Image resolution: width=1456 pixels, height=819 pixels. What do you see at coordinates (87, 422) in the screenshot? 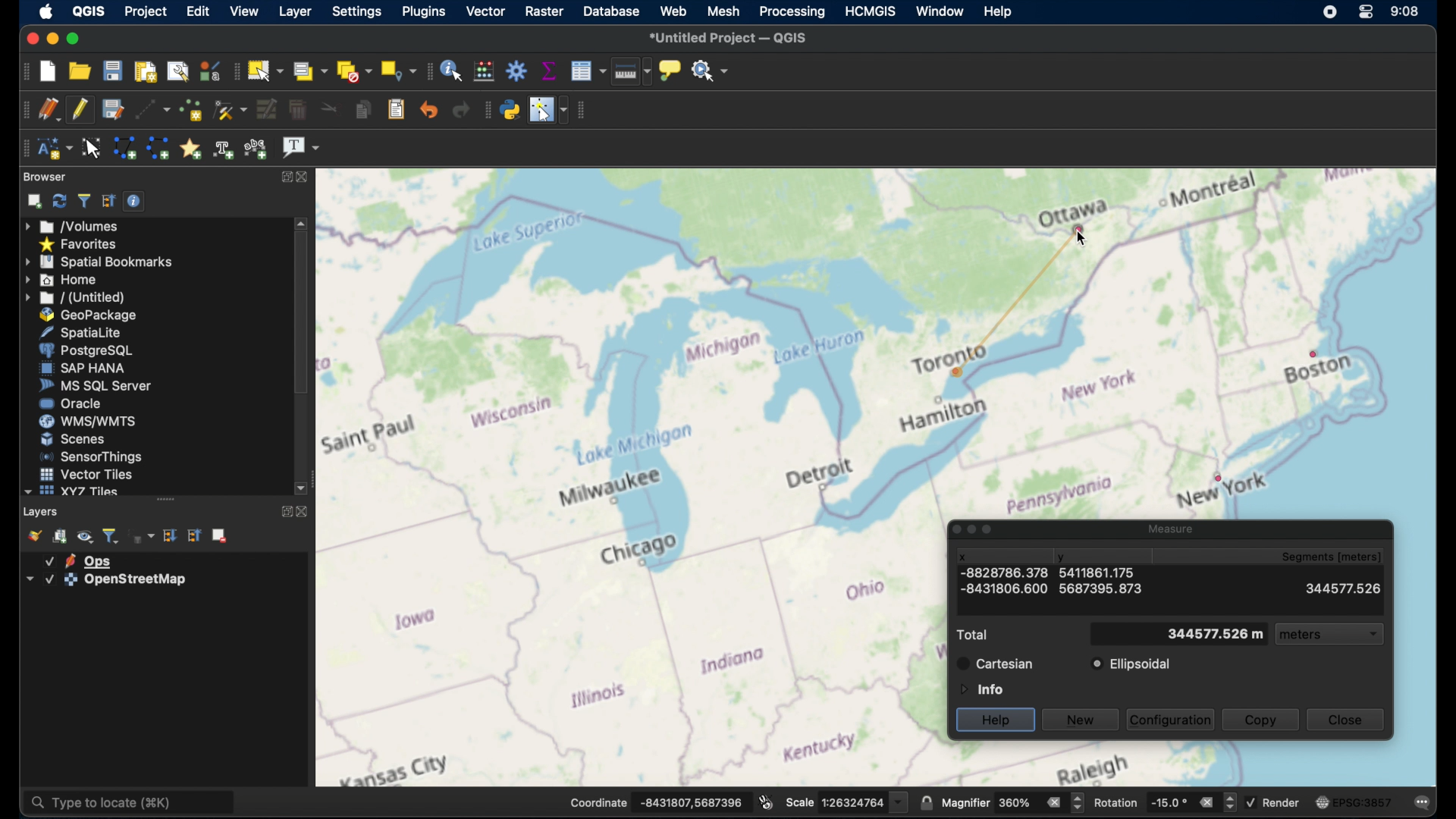
I see `wms/wmts` at bounding box center [87, 422].